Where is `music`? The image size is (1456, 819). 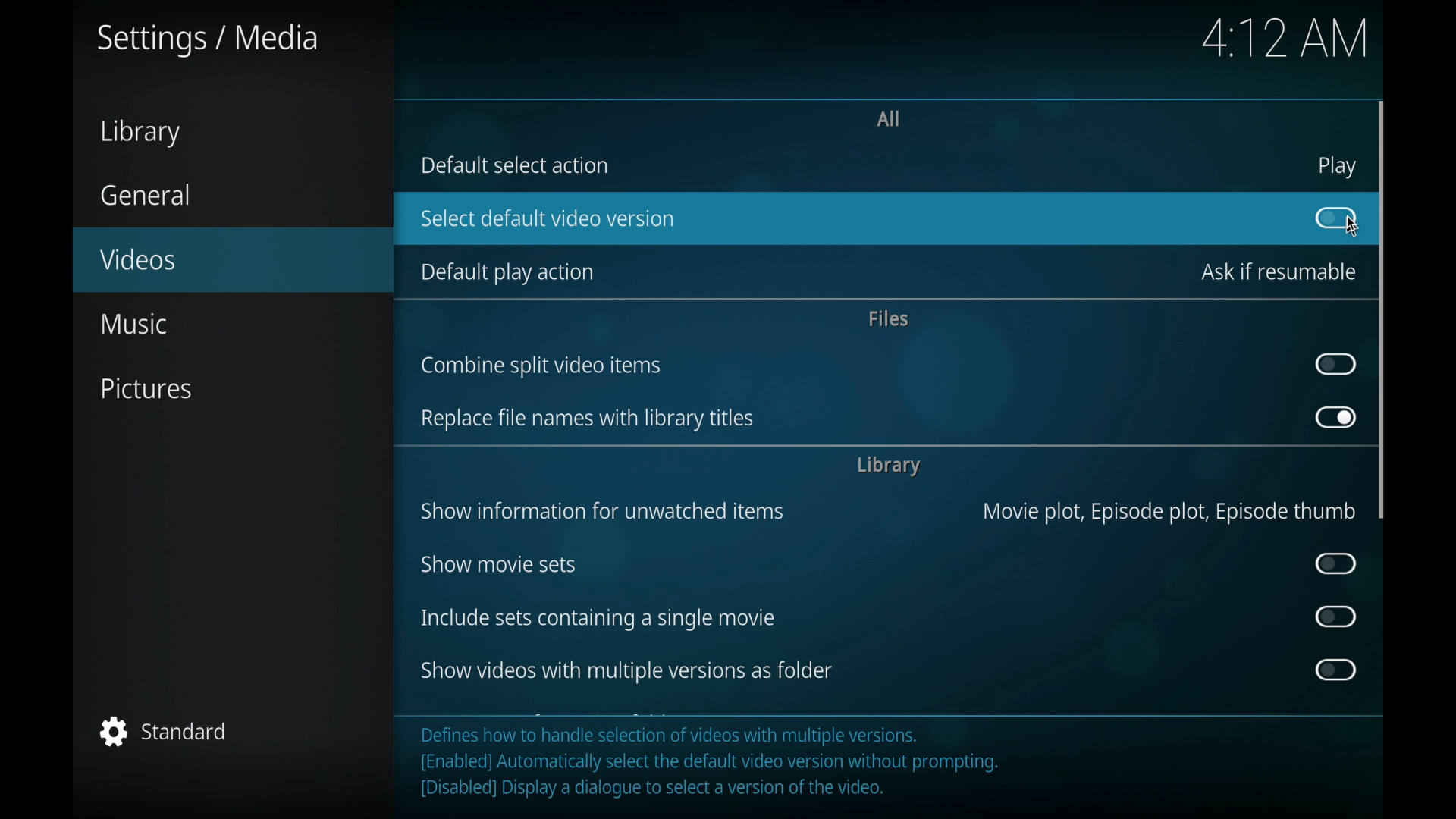 music is located at coordinates (135, 325).